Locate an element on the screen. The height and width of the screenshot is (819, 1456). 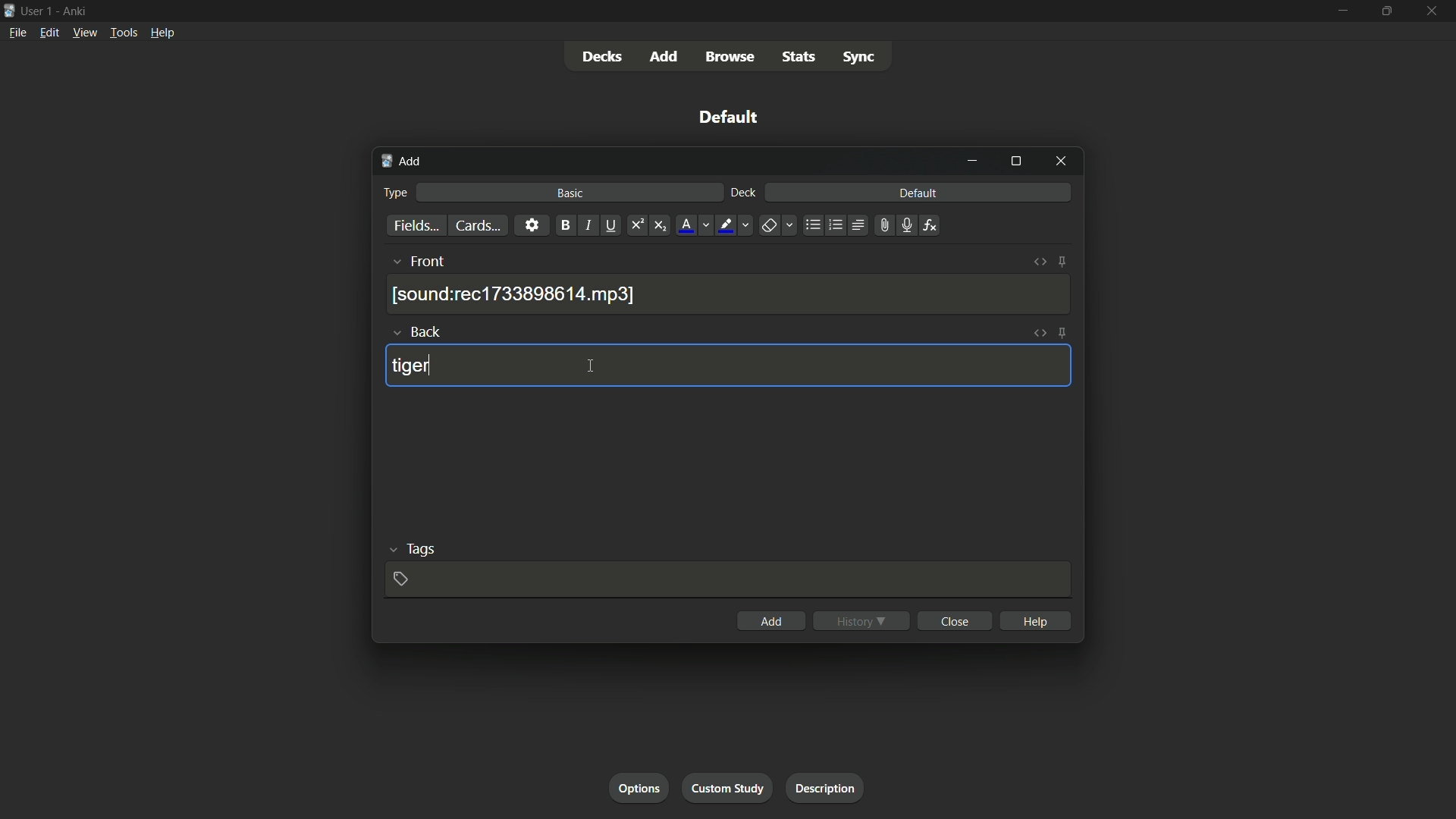
ordered list is located at coordinates (834, 225).